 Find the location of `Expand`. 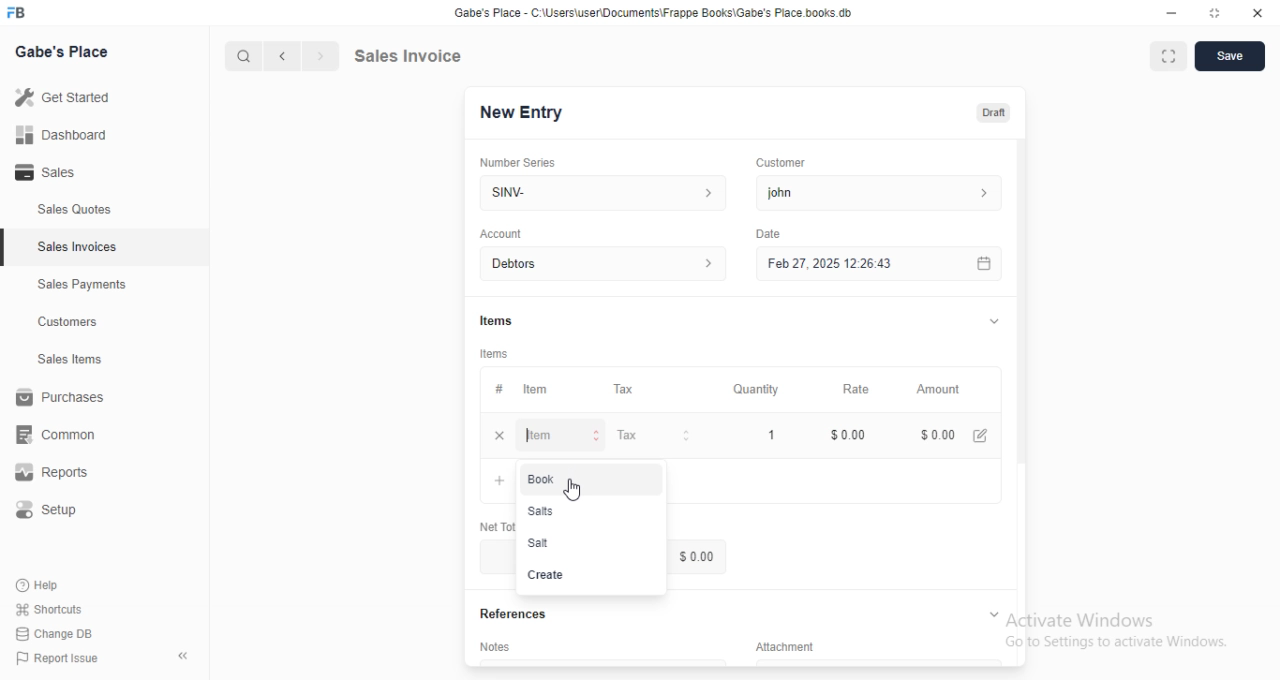

Expand is located at coordinates (1168, 56).